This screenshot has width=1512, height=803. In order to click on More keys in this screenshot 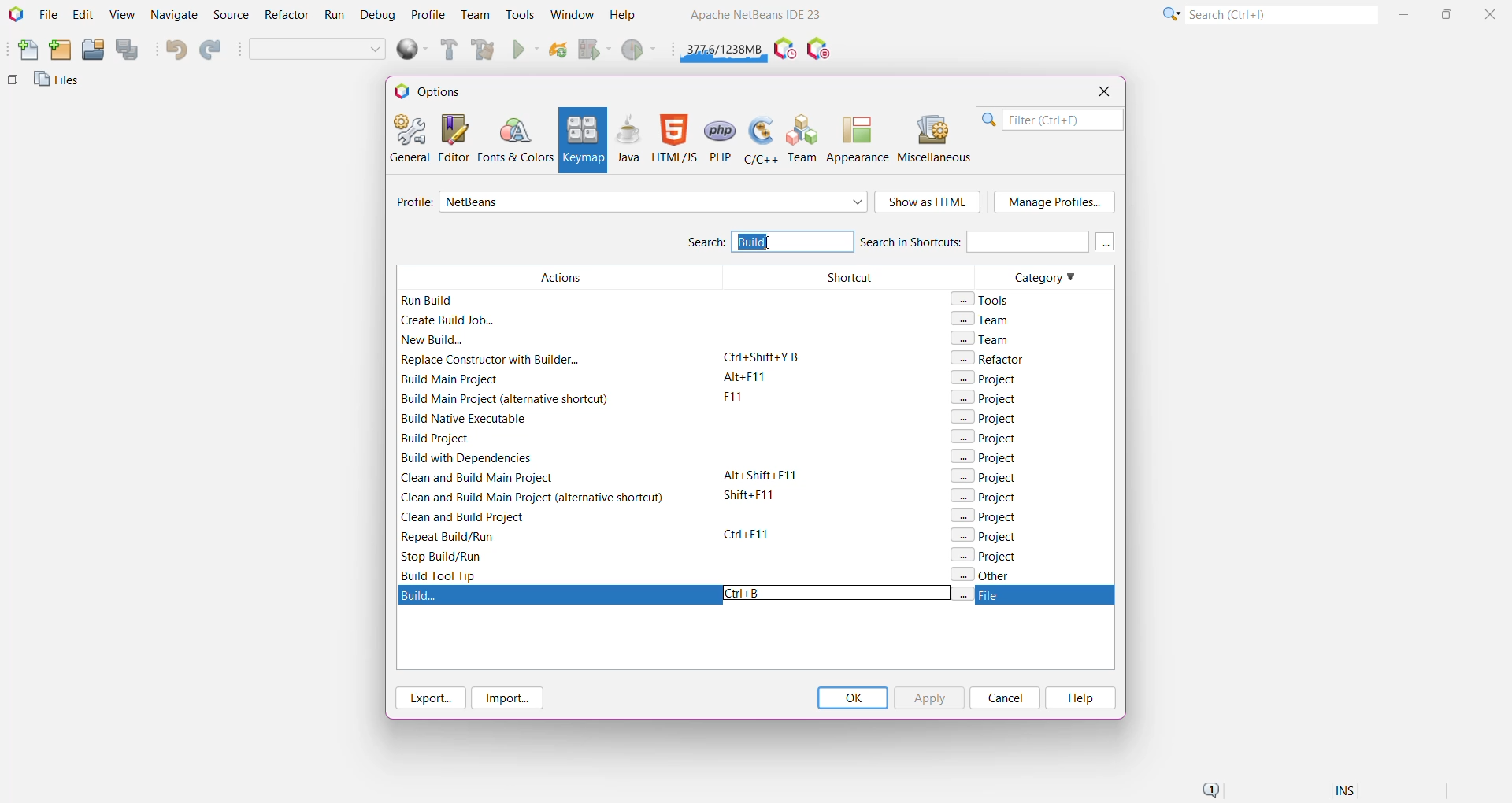, I will do `click(1106, 242)`.